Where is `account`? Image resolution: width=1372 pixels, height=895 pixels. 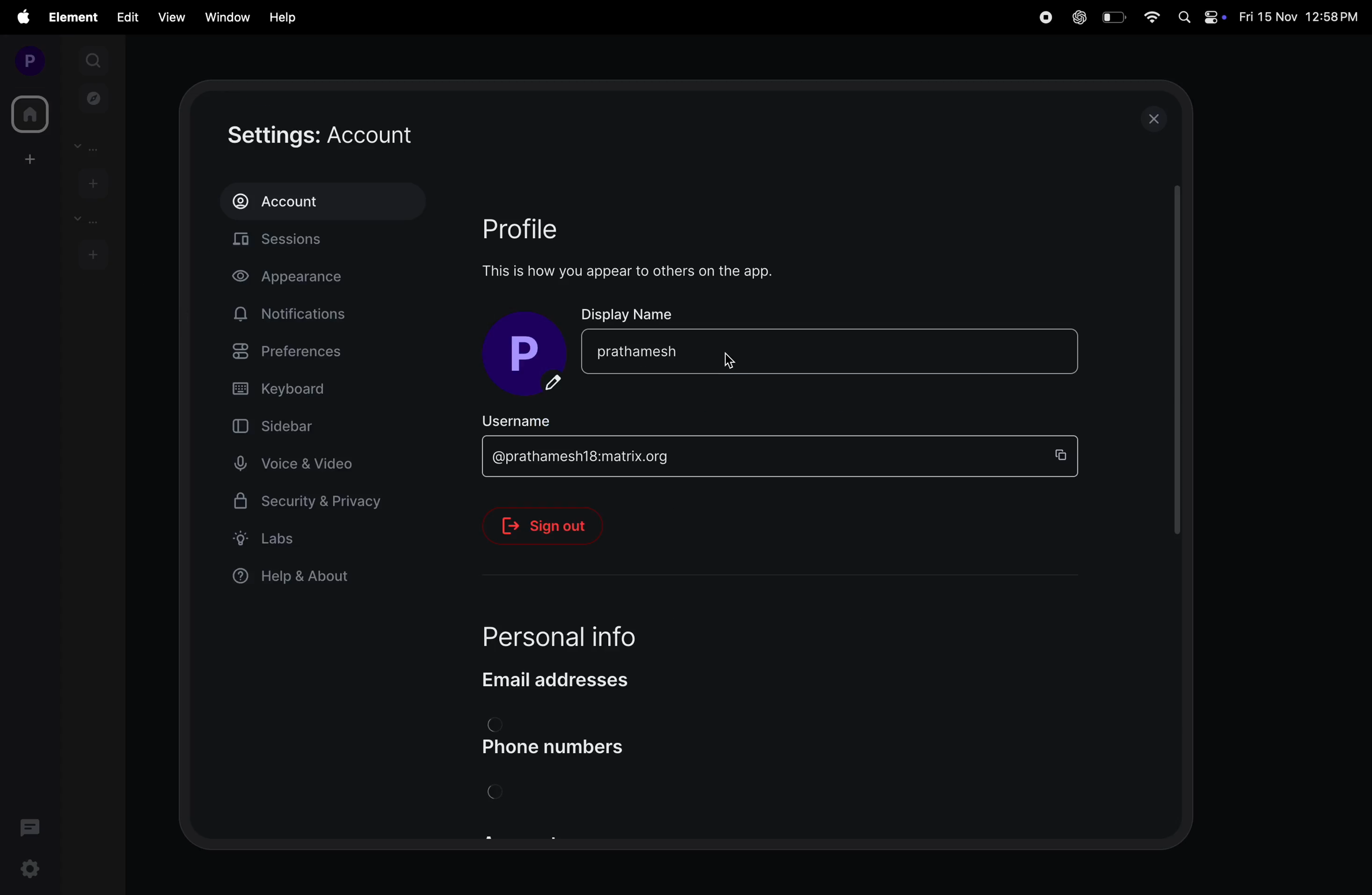
account is located at coordinates (322, 201).